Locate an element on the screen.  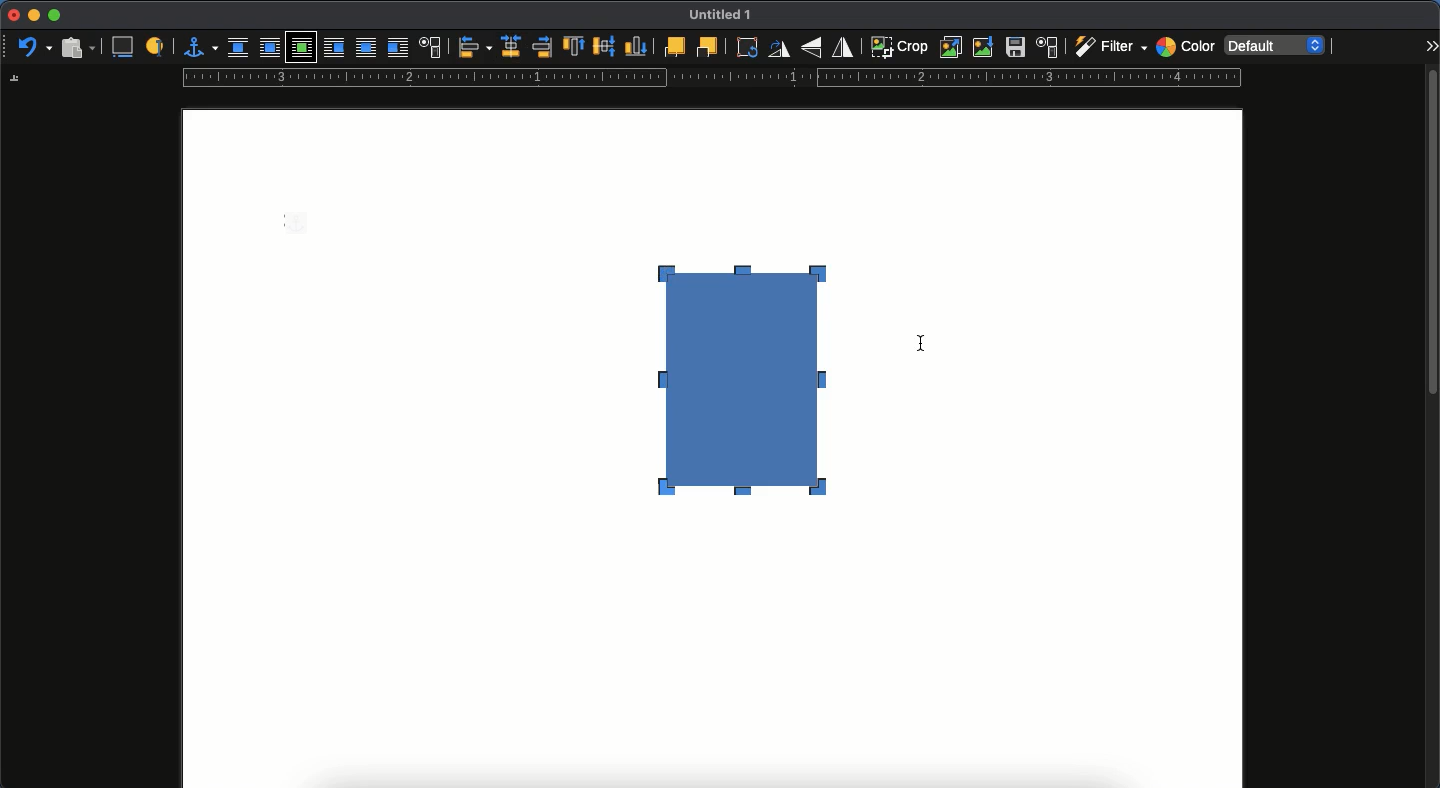
centered is located at coordinates (512, 47).